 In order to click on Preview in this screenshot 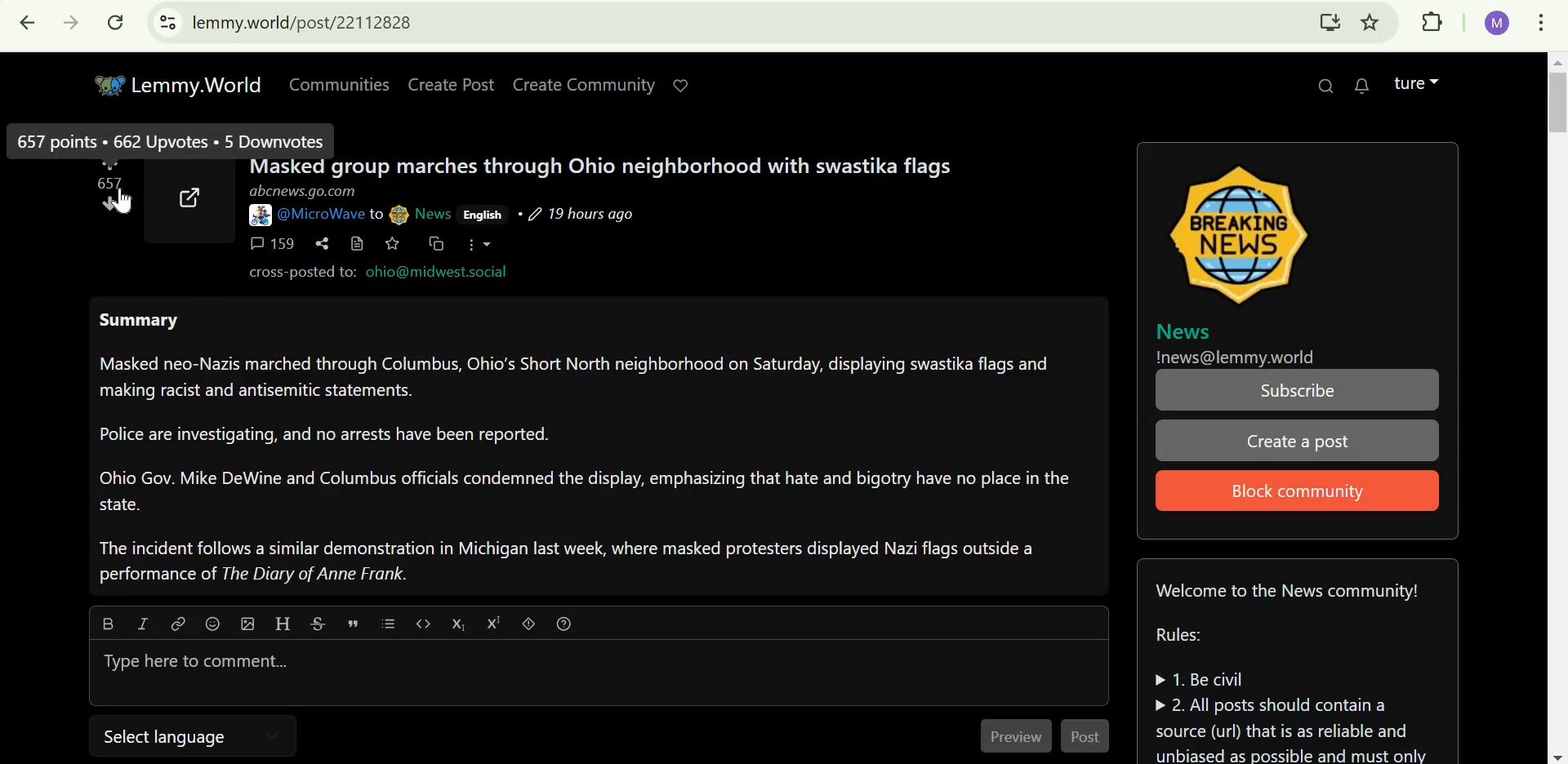, I will do `click(1012, 738)`.